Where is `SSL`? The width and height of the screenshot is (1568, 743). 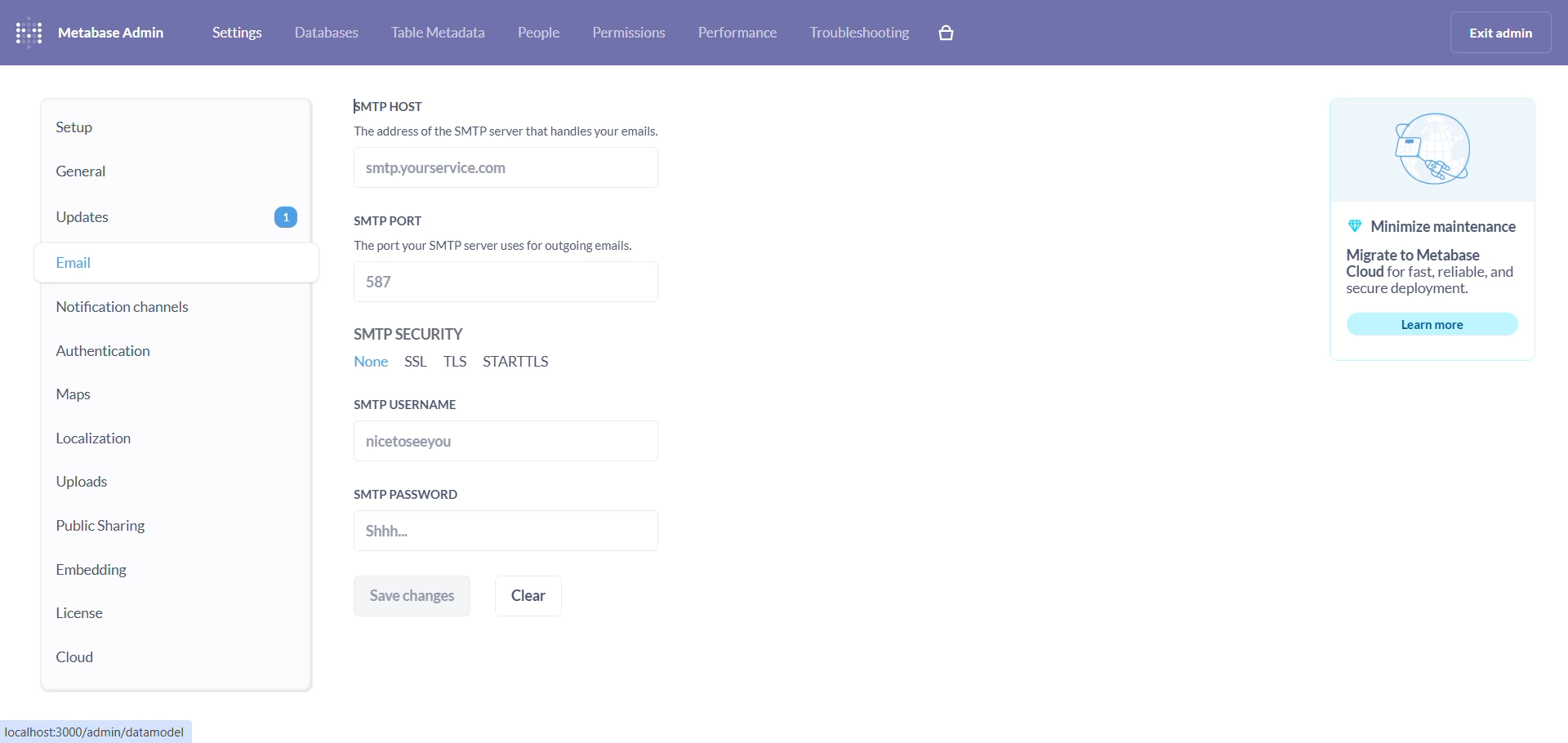 SSL is located at coordinates (416, 363).